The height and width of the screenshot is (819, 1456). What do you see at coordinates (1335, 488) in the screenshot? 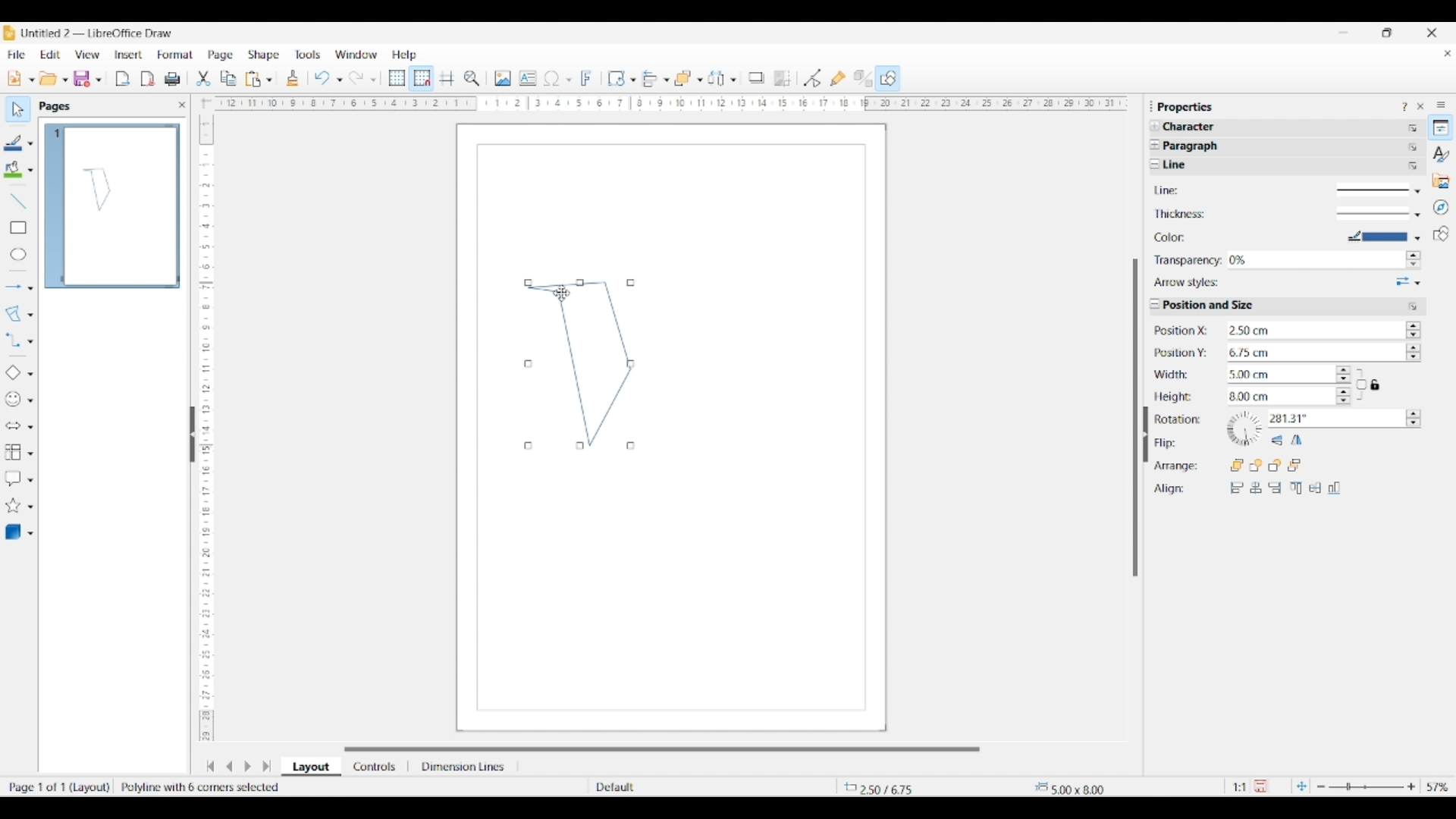
I see `Align bottom` at bounding box center [1335, 488].